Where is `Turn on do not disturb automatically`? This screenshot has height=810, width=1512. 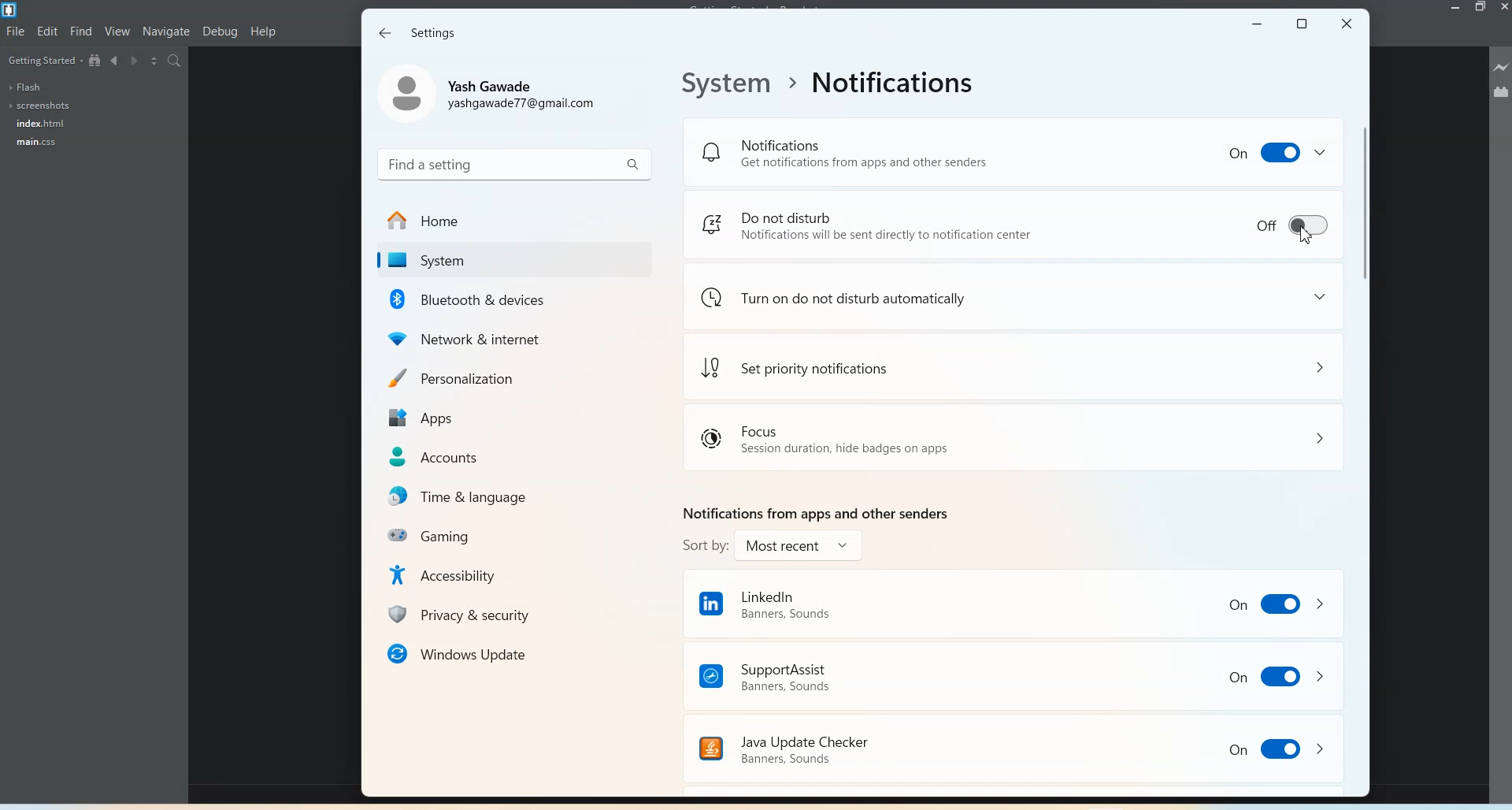
Turn on do not disturb automatically is located at coordinates (1015, 297).